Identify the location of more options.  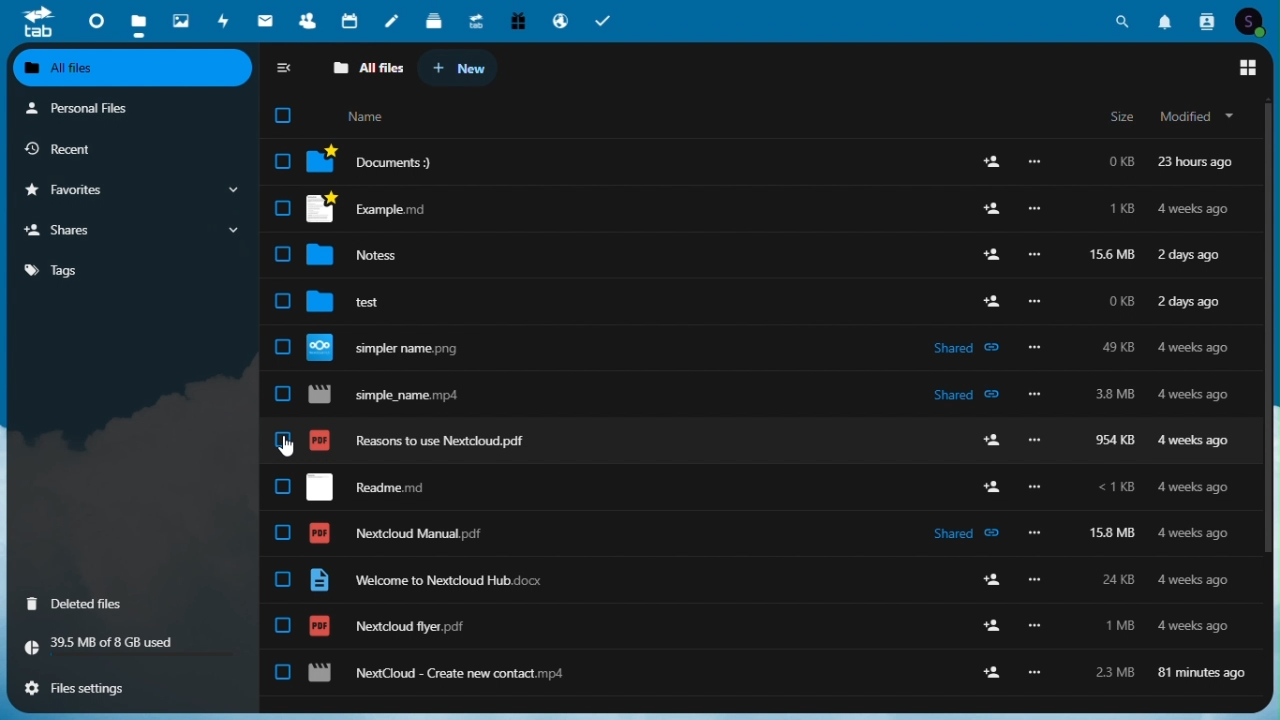
(1037, 531).